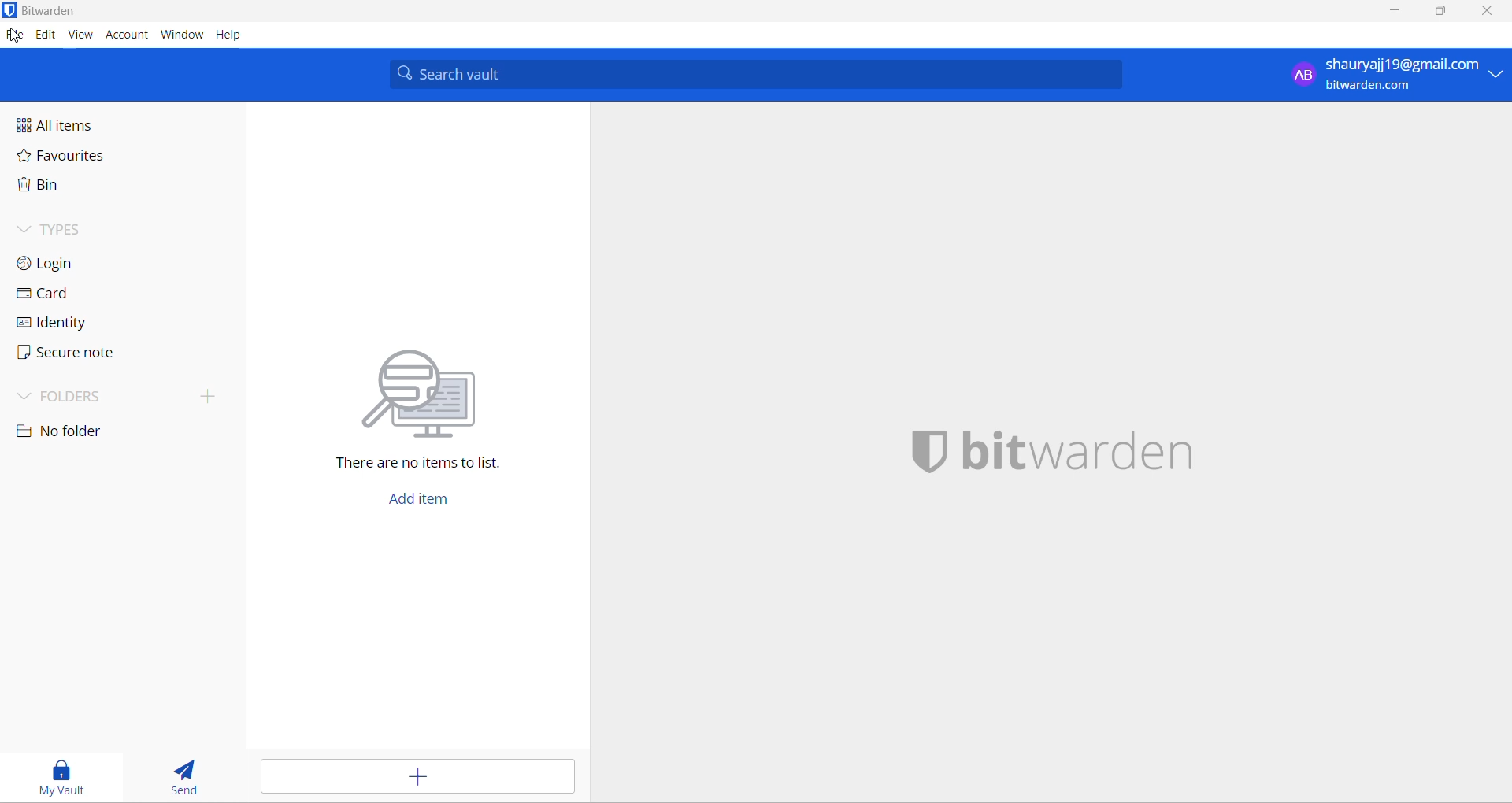 The height and width of the screenshot is (803, 1512). What do you see at coordinates (15, 37) in the screenshot?
I see `cursor` at bounding box center [15, 37].